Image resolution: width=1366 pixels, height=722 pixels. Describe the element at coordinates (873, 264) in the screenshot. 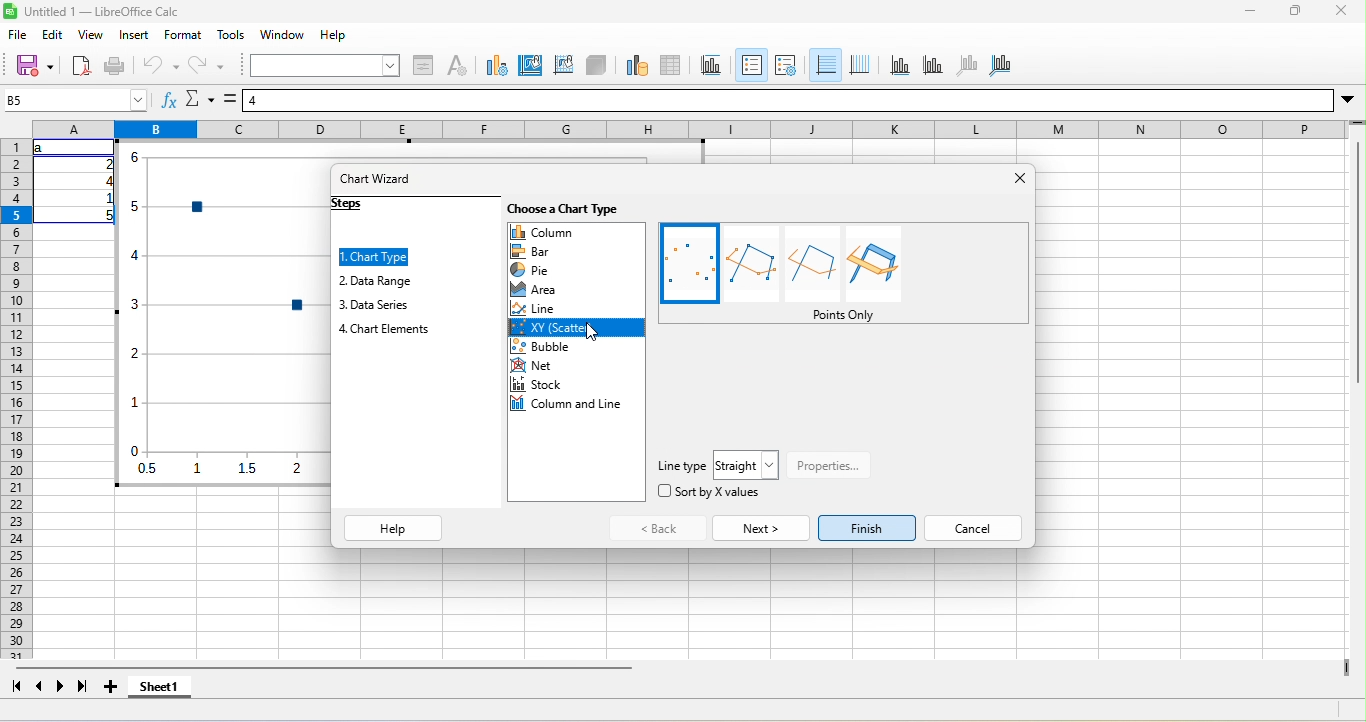

I see `3d lines` at that location.